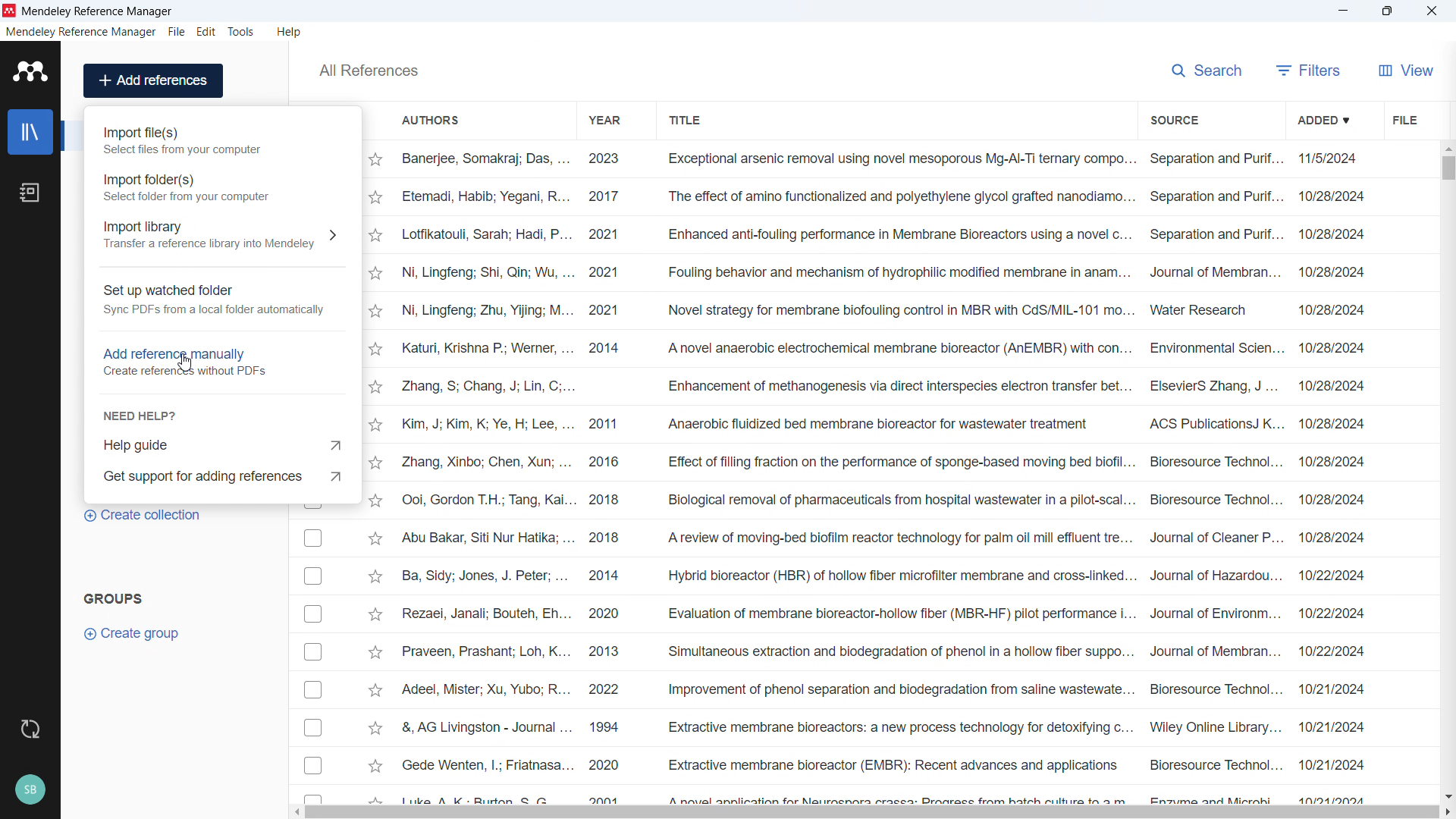 The height and width of the screenshot is (819, 1456). Describe the element at coordinates (221, 301) in the screenshot. I see `Set up watched folder ` at that location.